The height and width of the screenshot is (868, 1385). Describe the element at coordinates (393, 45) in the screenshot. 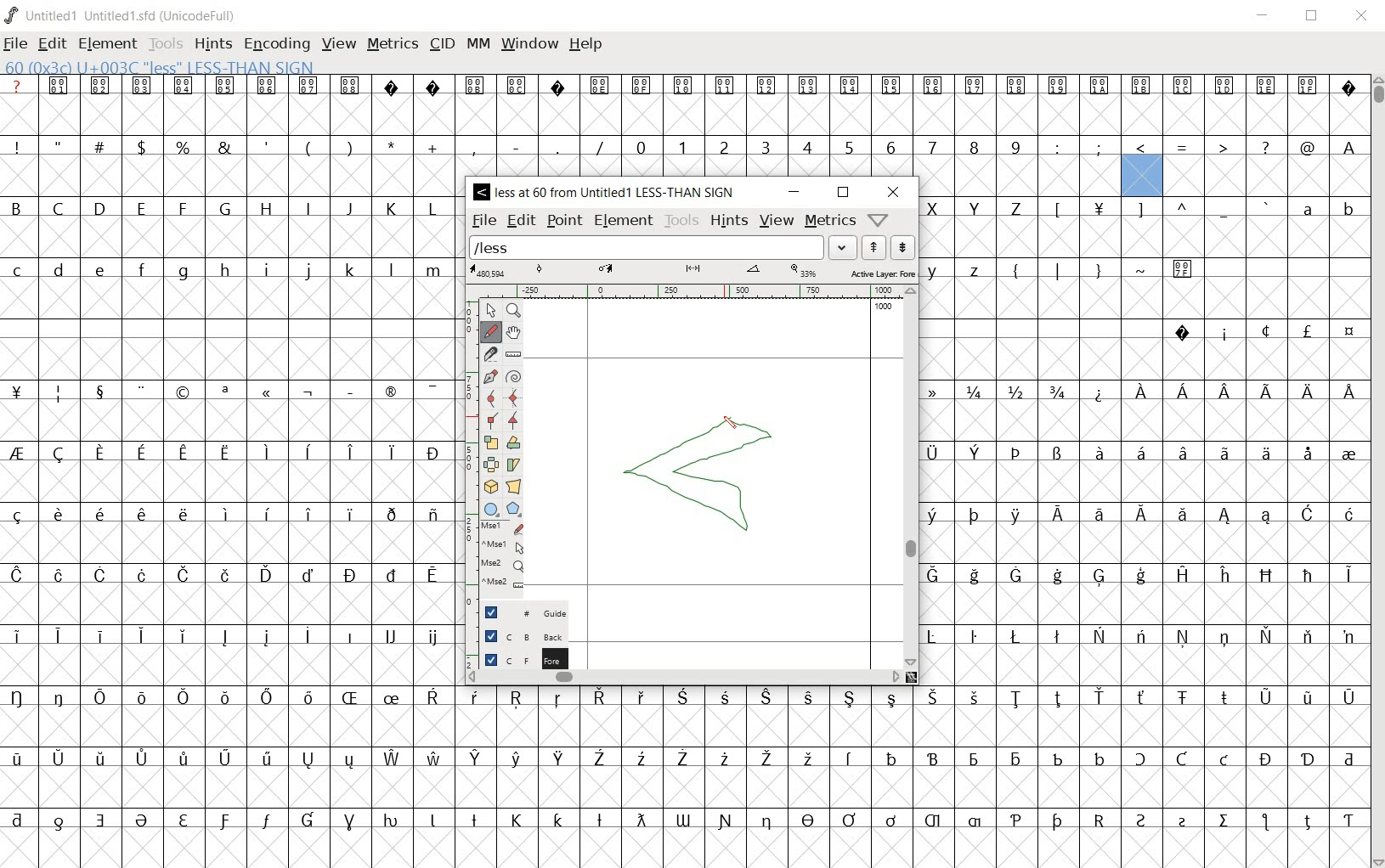

I see `metrics` at that location.